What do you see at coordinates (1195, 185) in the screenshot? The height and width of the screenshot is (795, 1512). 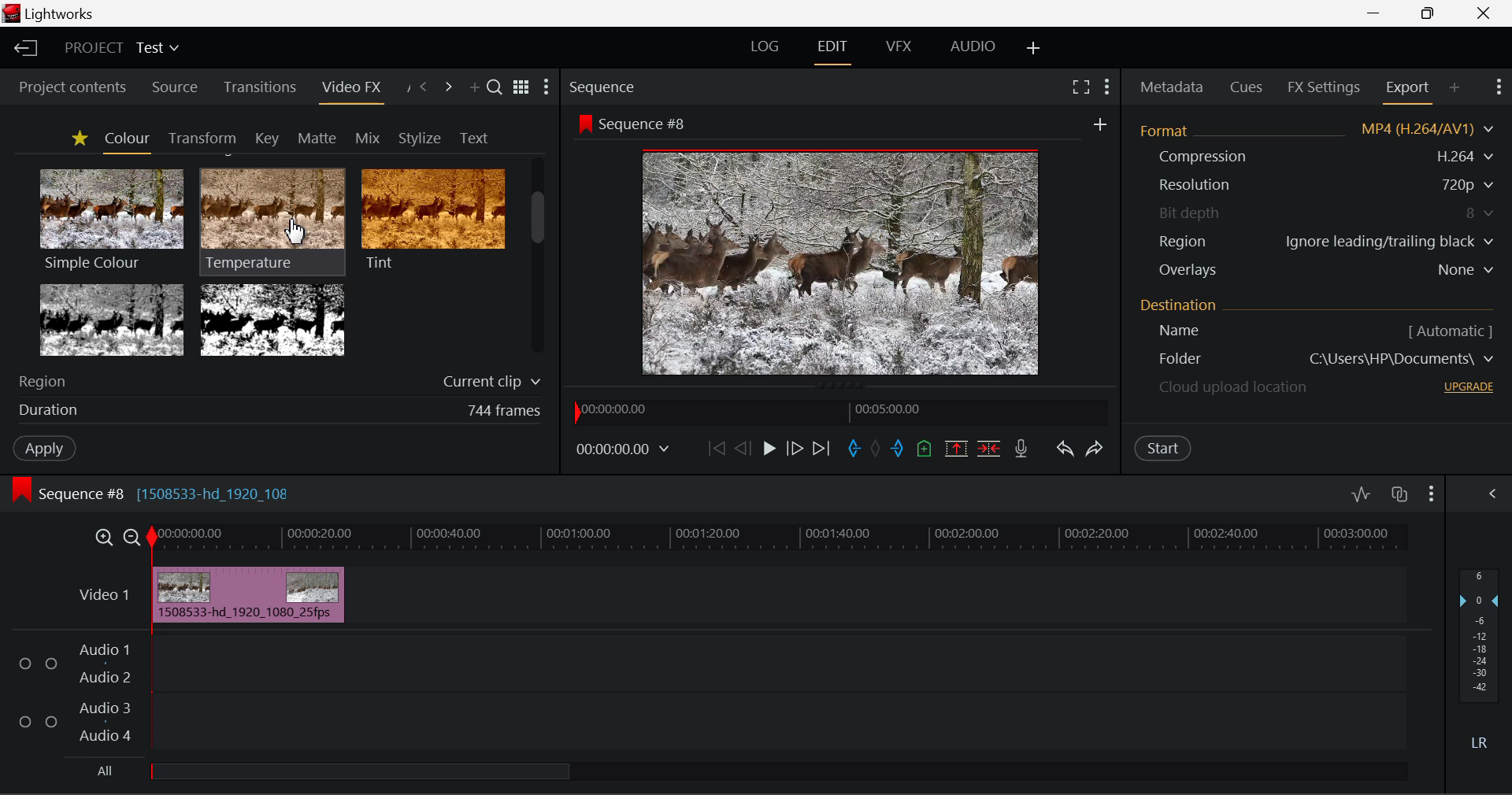 I see `Resolution` at bounding box center [1195, 185].